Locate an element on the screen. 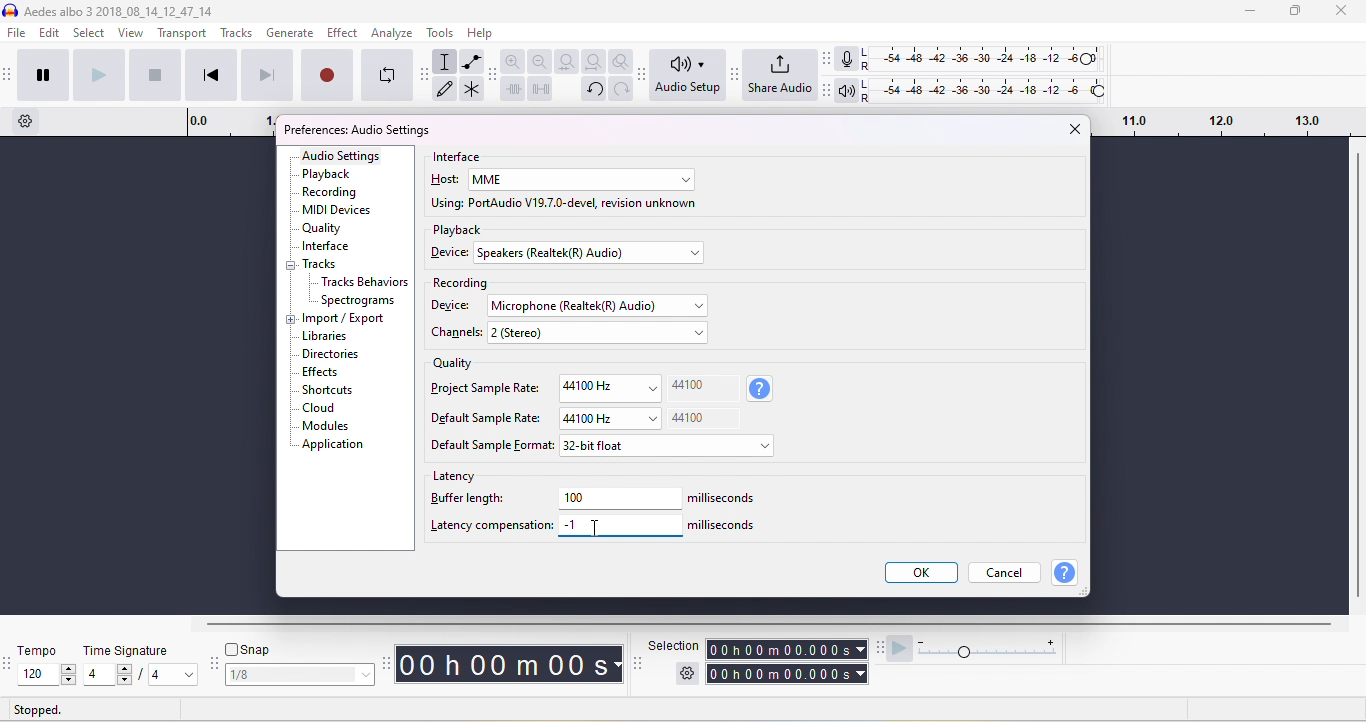 The image size is (1366, 722). L is located at coordinates (869, 85).